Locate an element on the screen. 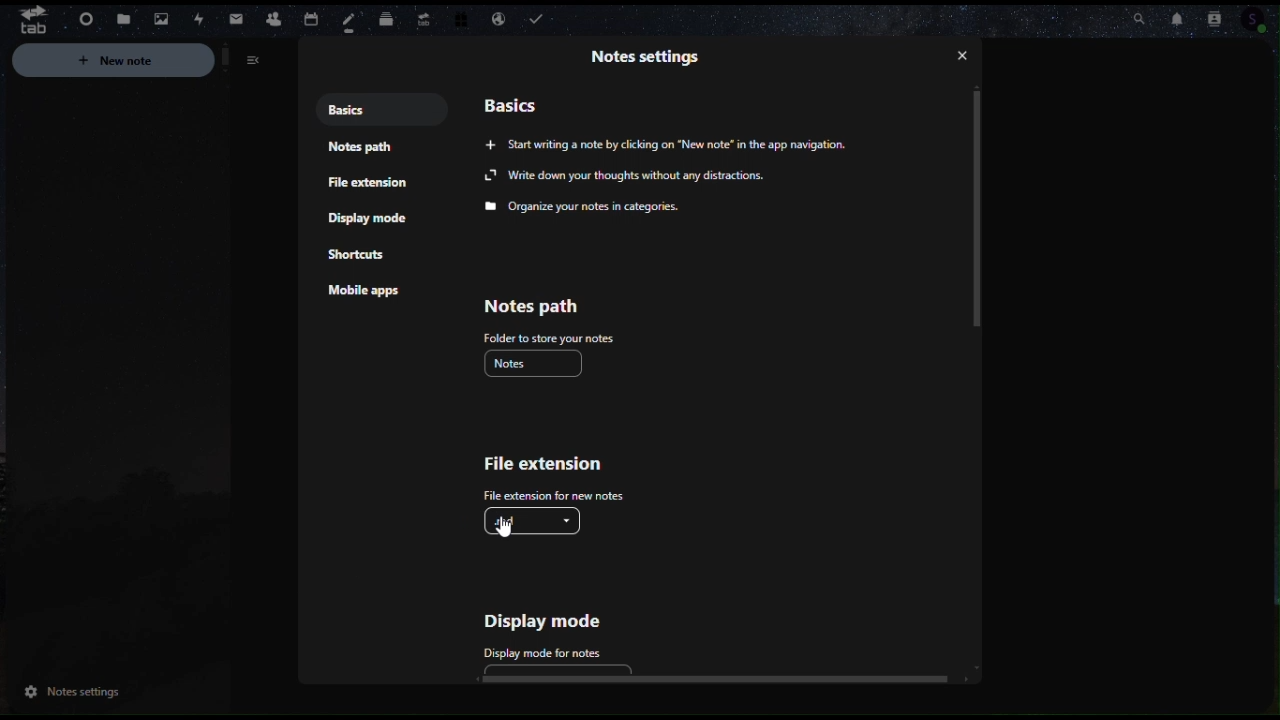 The height and width of the screenshot is (720, 1280). Dashboard is located at coordinates (83, 21).